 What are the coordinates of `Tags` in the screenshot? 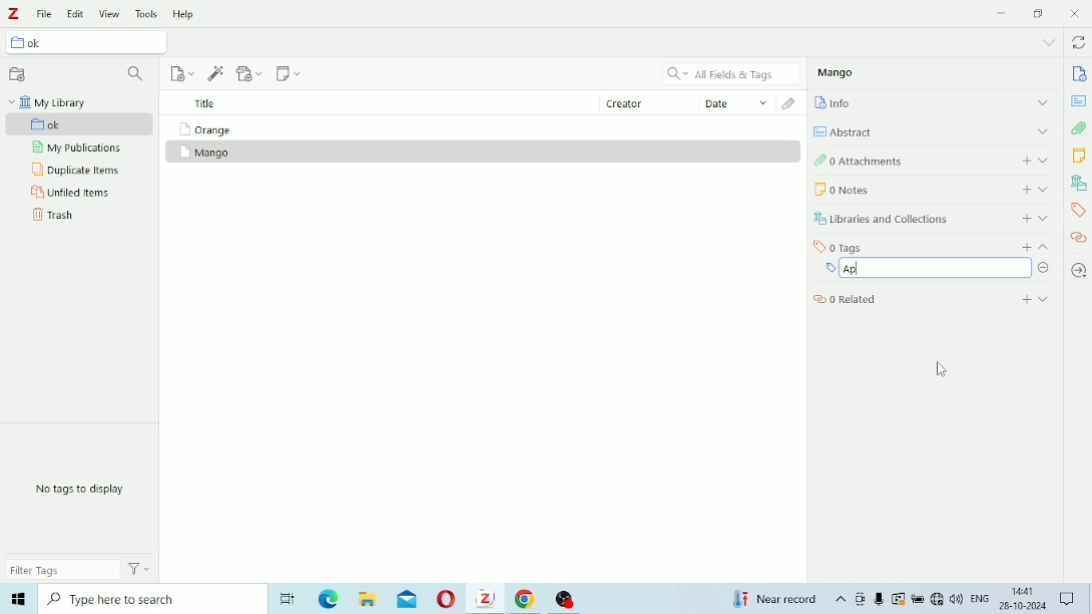 It's located at (934, 242).